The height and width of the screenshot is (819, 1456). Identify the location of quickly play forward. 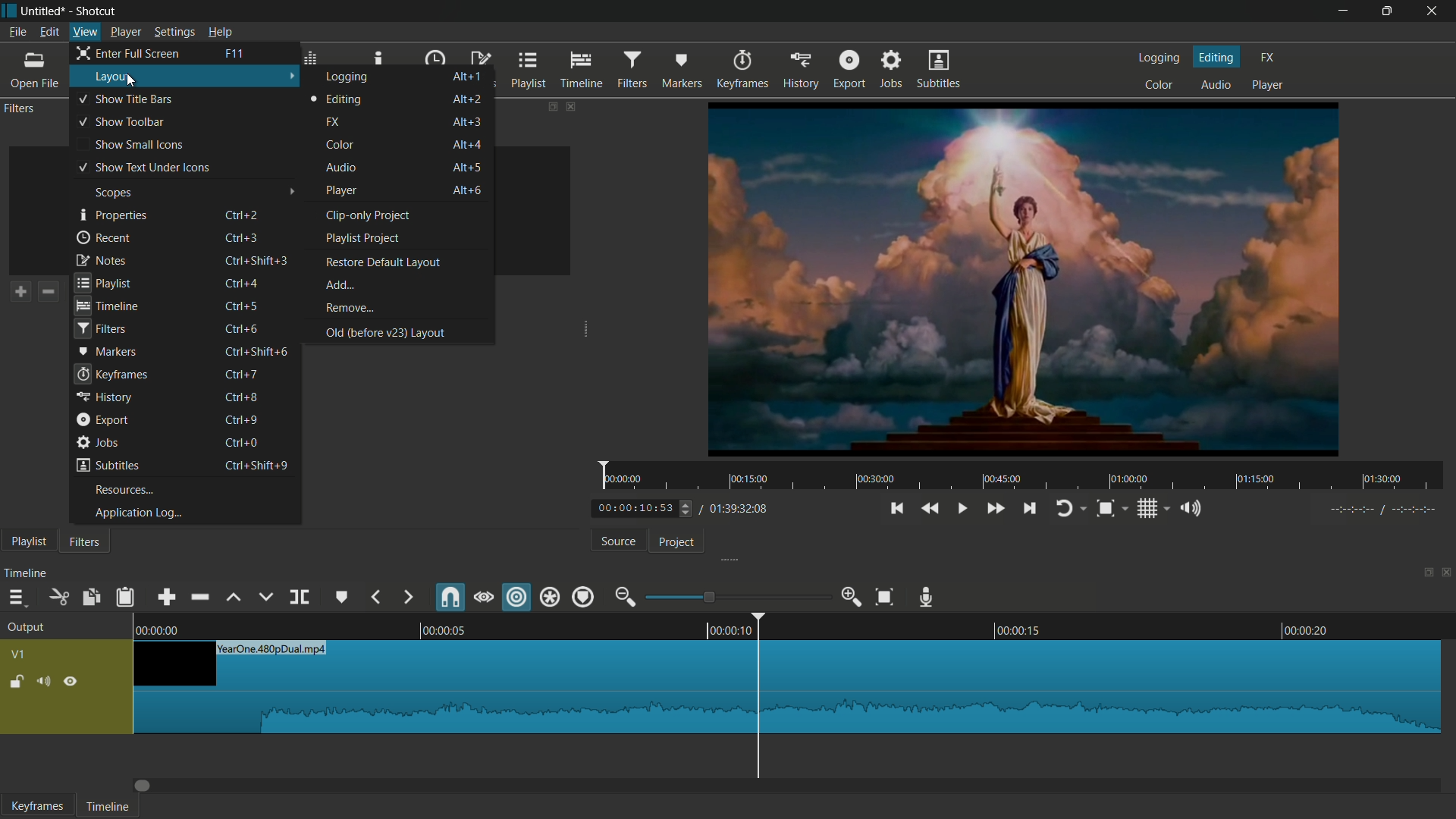
(996, 508).